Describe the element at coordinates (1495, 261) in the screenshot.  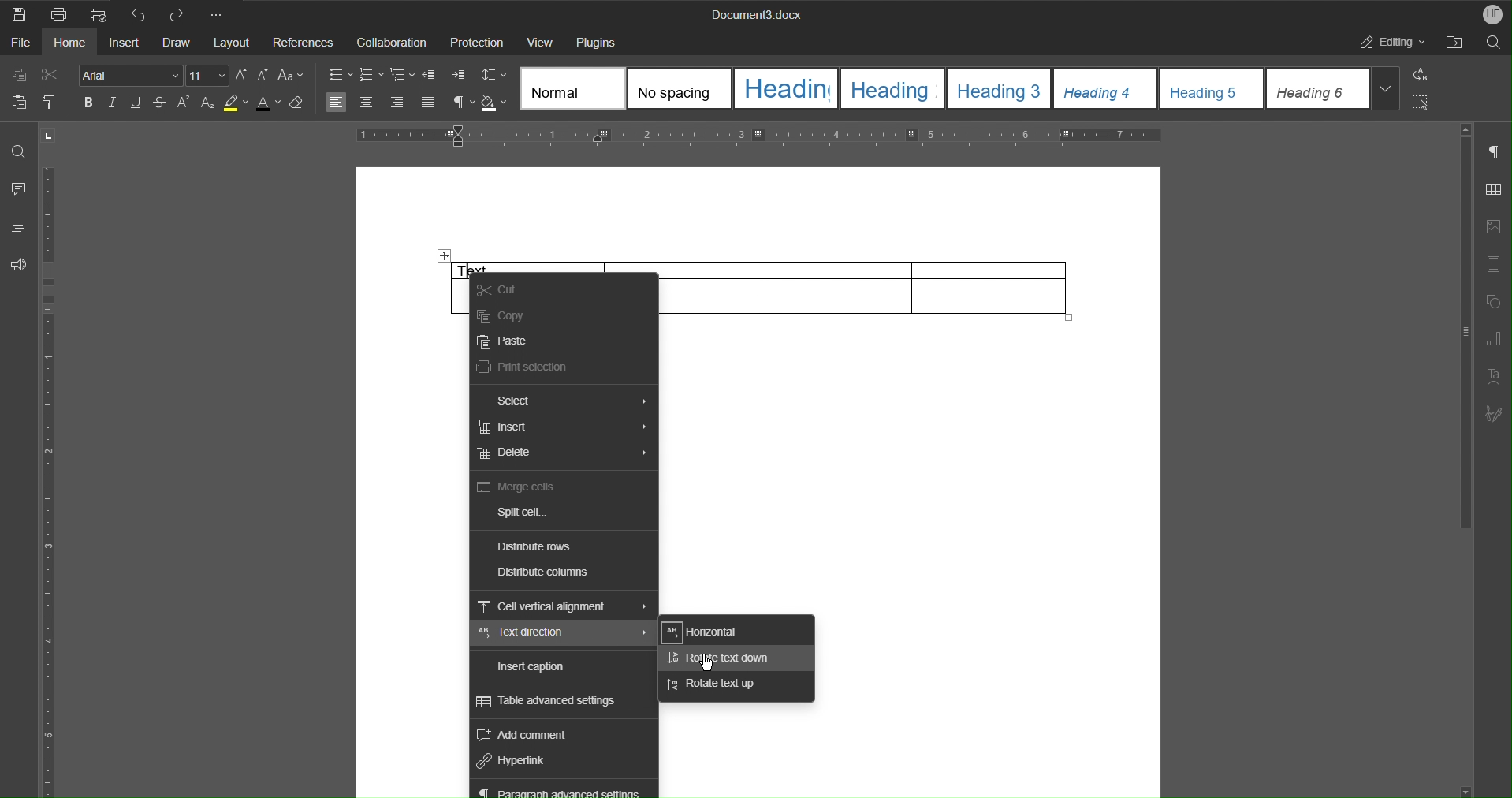
I see `Header/Footer` at that location.